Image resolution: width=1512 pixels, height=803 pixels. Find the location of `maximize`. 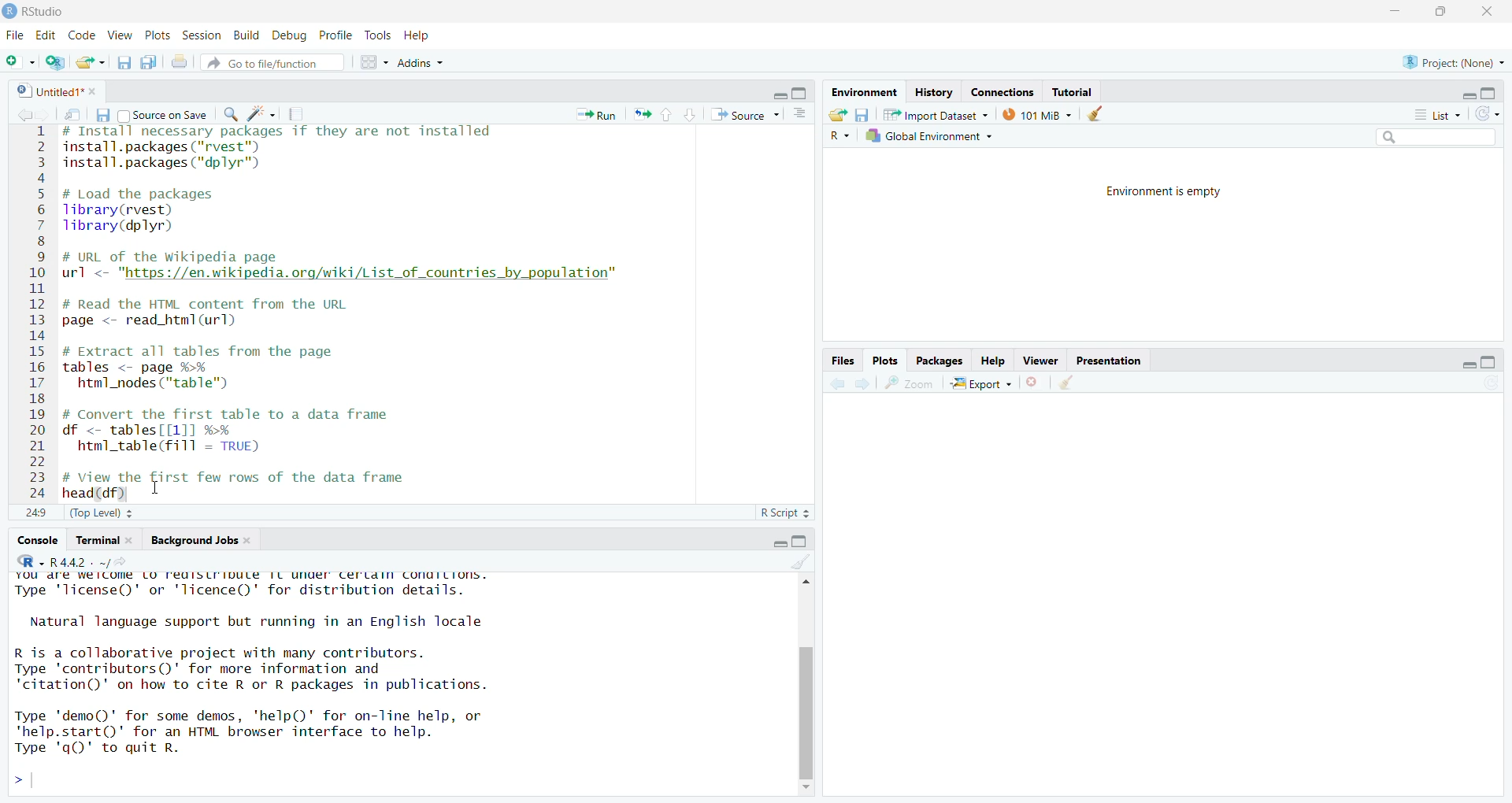

maximize is located at coordinates (1489, 362).